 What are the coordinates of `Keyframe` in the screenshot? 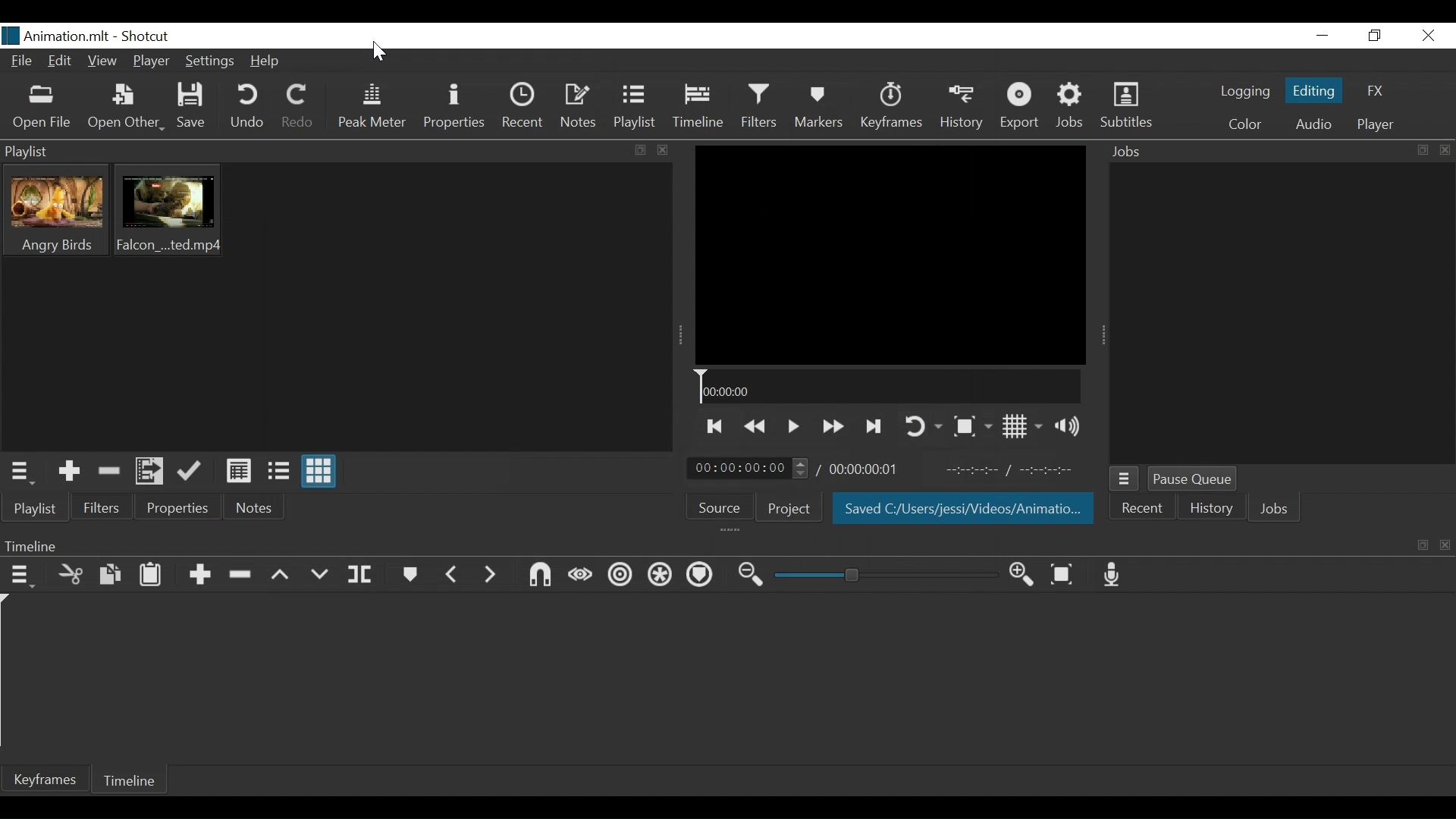 It's located at (52, 781).